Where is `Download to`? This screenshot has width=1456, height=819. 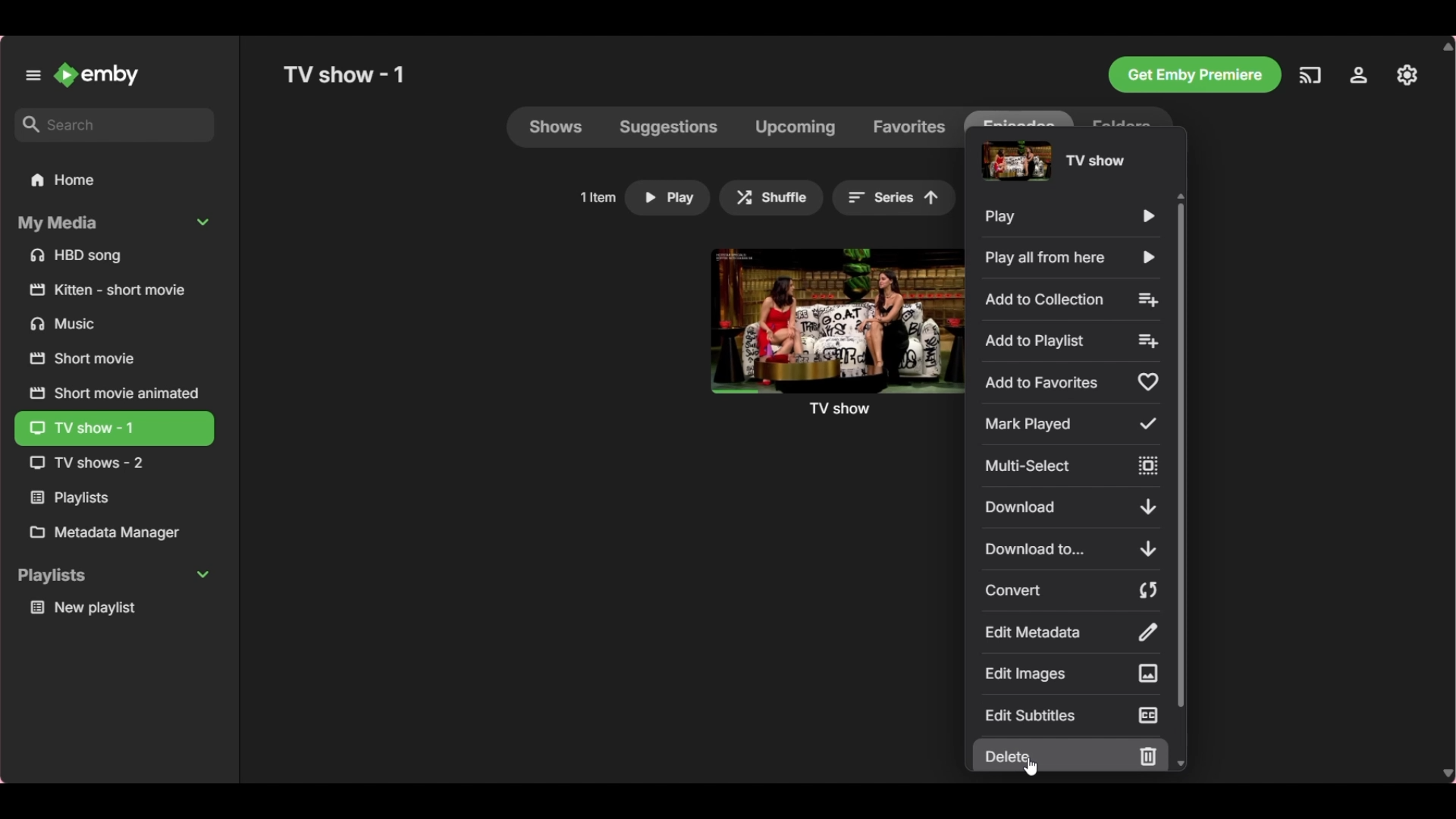 Download to is located at coordinates (1071, 548).